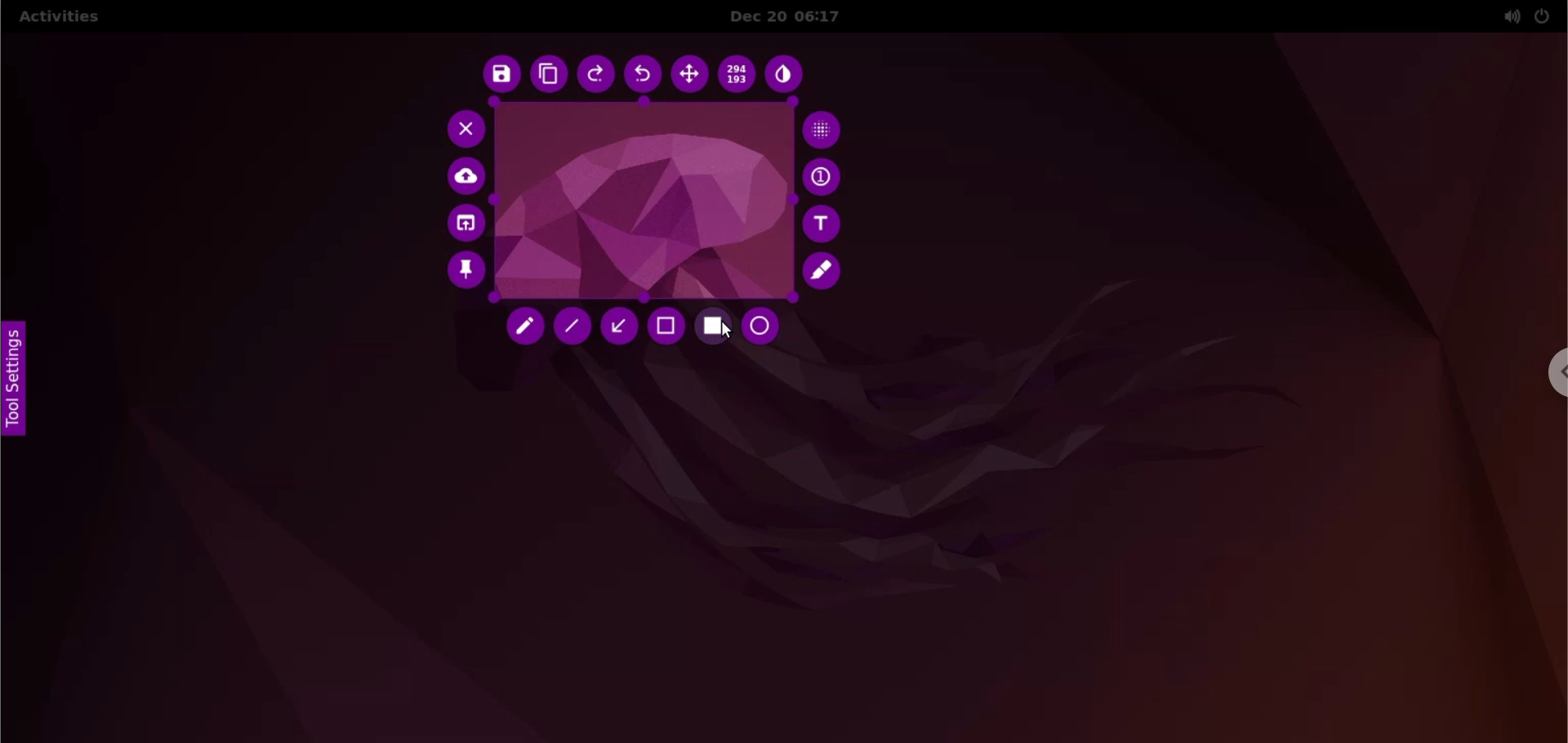 The height and width of the screenshot is (743, 1568). Describe the element at coordinates (738, 77) in the screenshot. I see `x and y coordinate value` at that location.